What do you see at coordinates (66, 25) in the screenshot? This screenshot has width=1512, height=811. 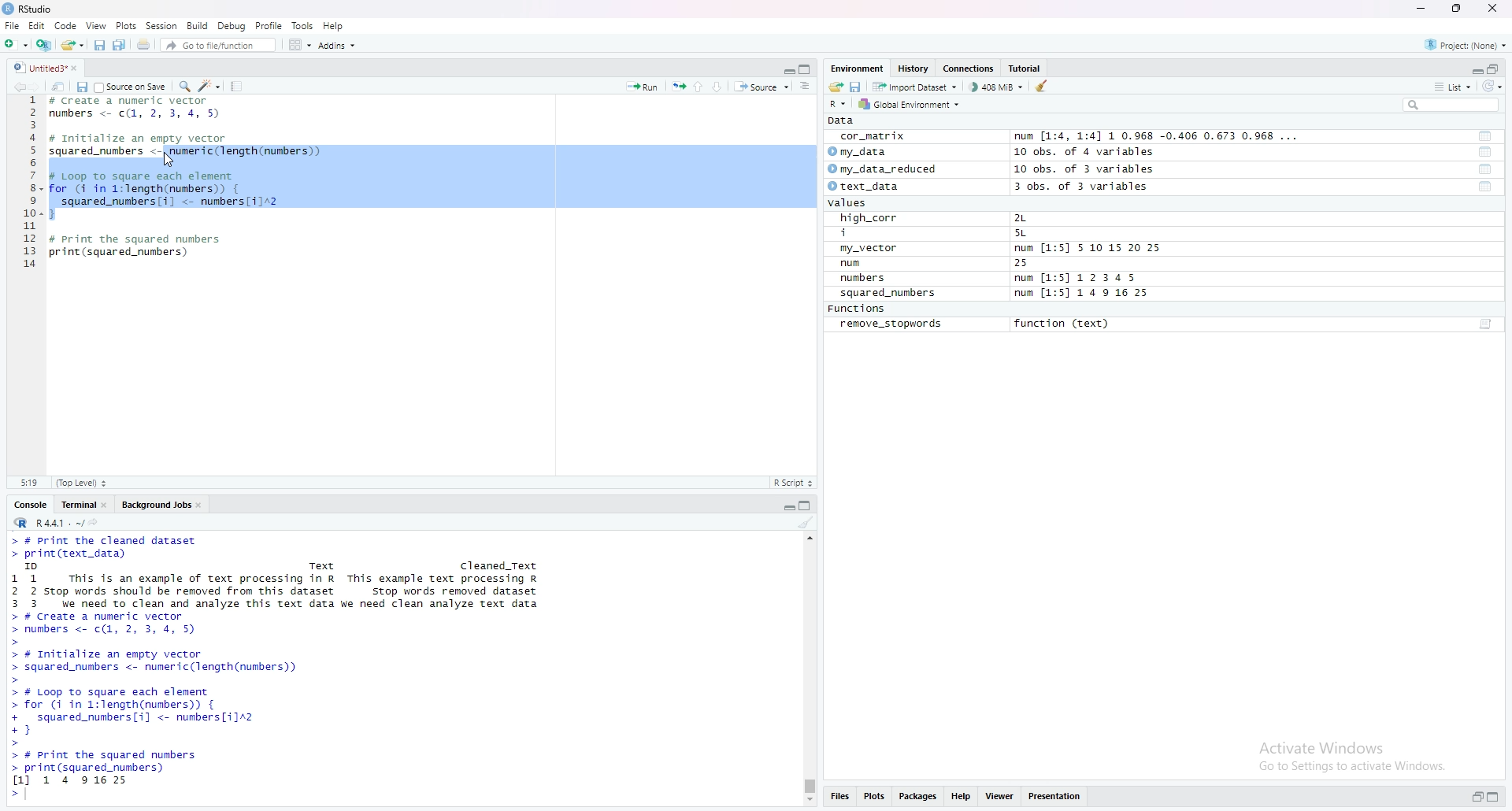 I see `Code` at bounding box center [66, 25].